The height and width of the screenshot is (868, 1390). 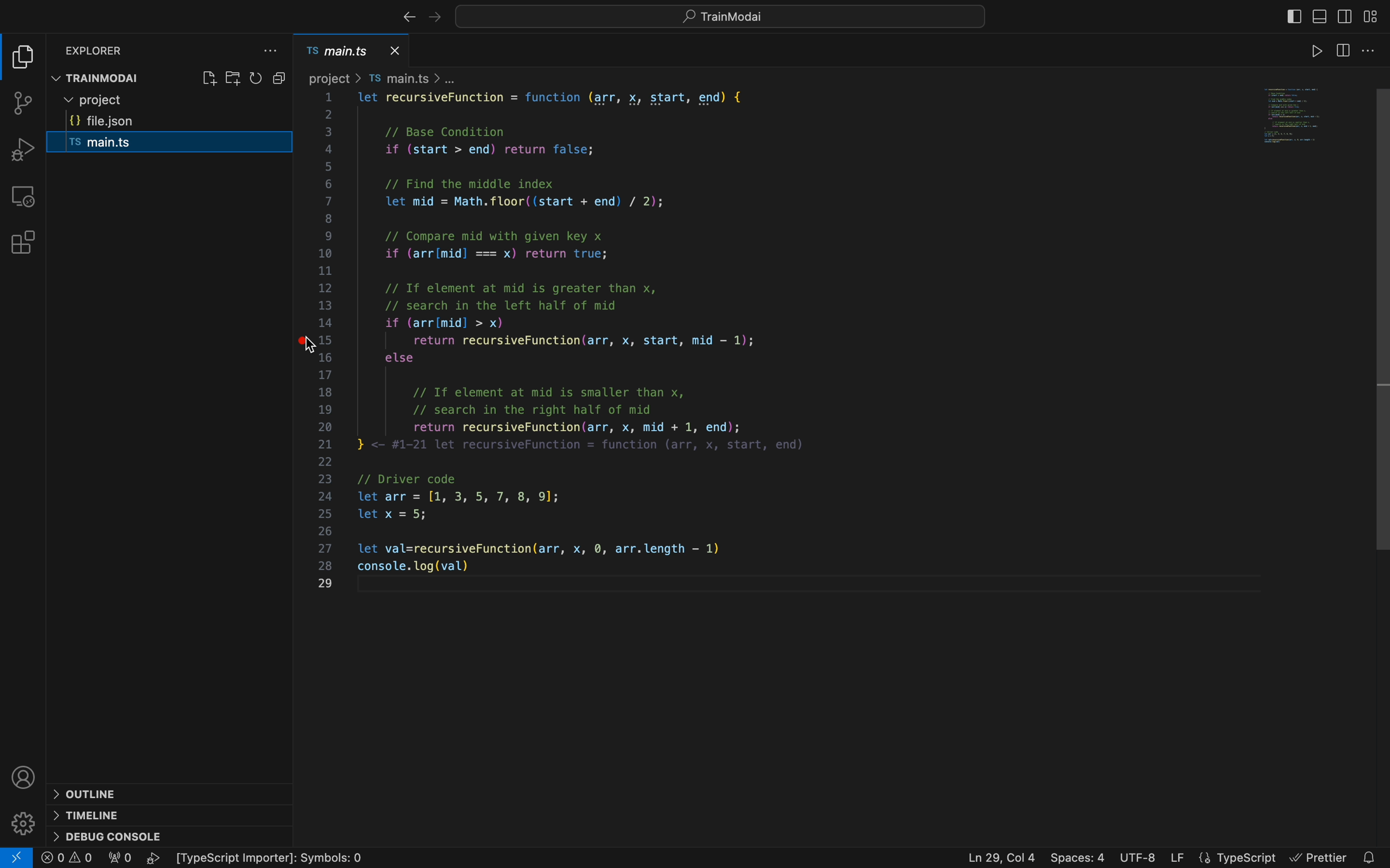 I want to click on file explore settings, so click(x=272, y=53).